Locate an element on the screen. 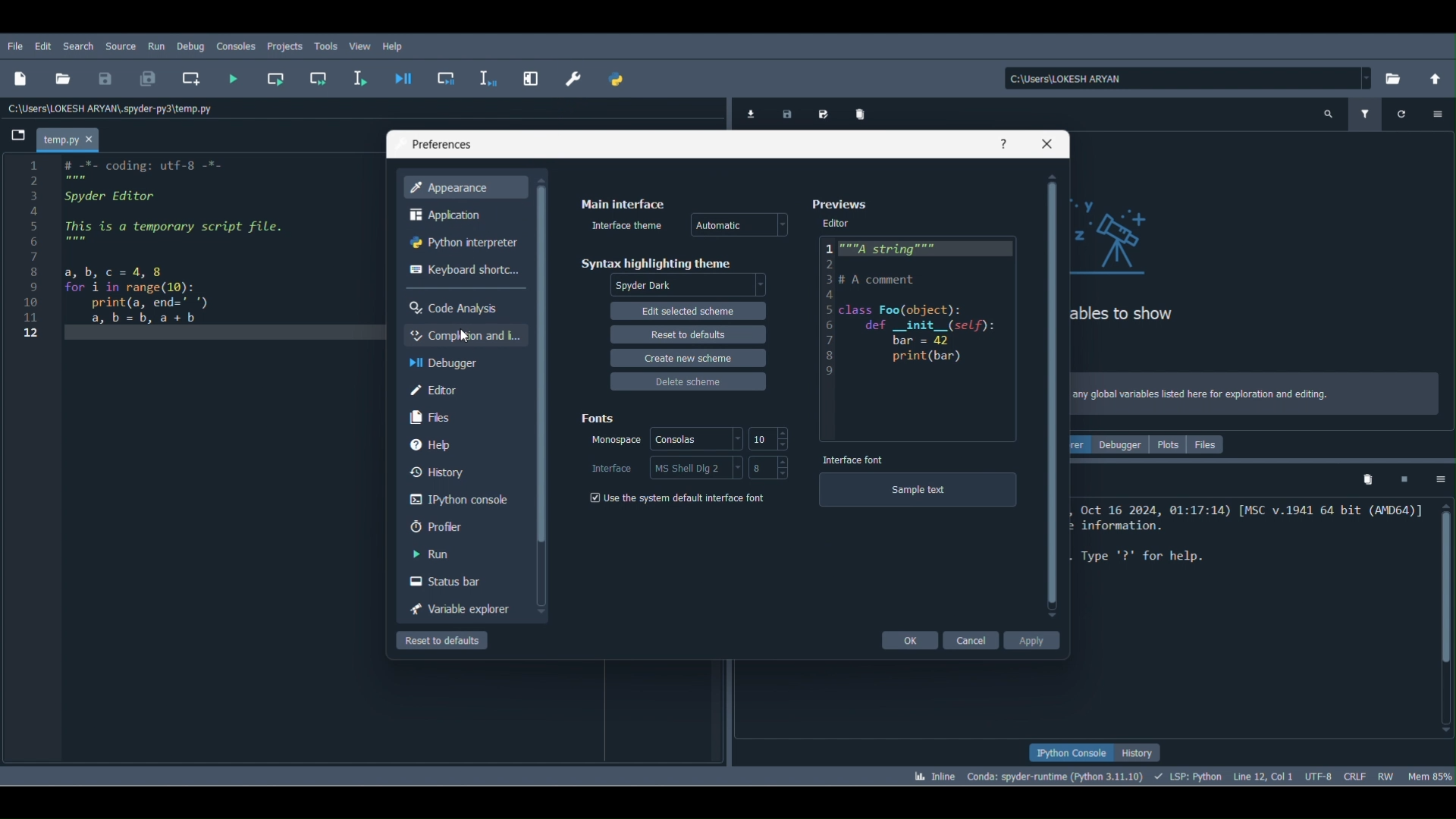 The height and width of the screenshot is (819, 1456). Editor is located at coordinates (426, 389).